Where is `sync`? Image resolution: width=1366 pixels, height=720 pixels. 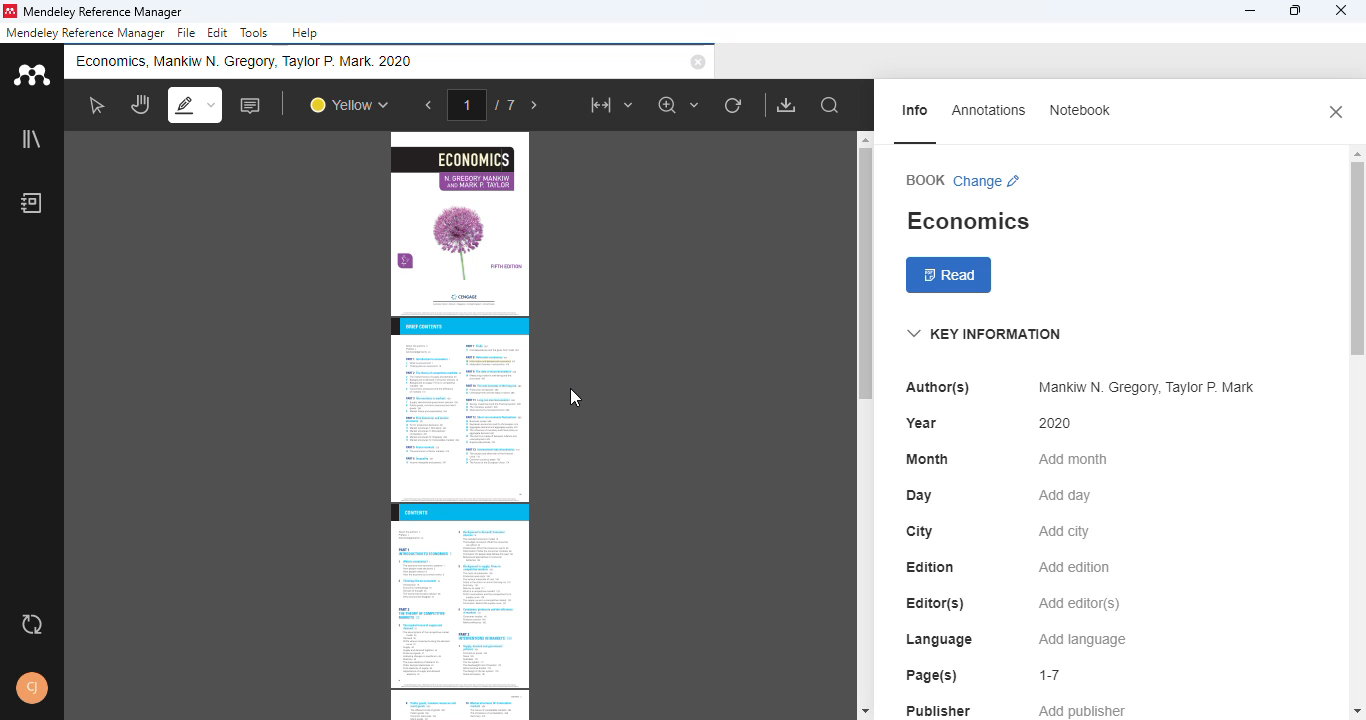 sync is located at coordinates (32, 626).